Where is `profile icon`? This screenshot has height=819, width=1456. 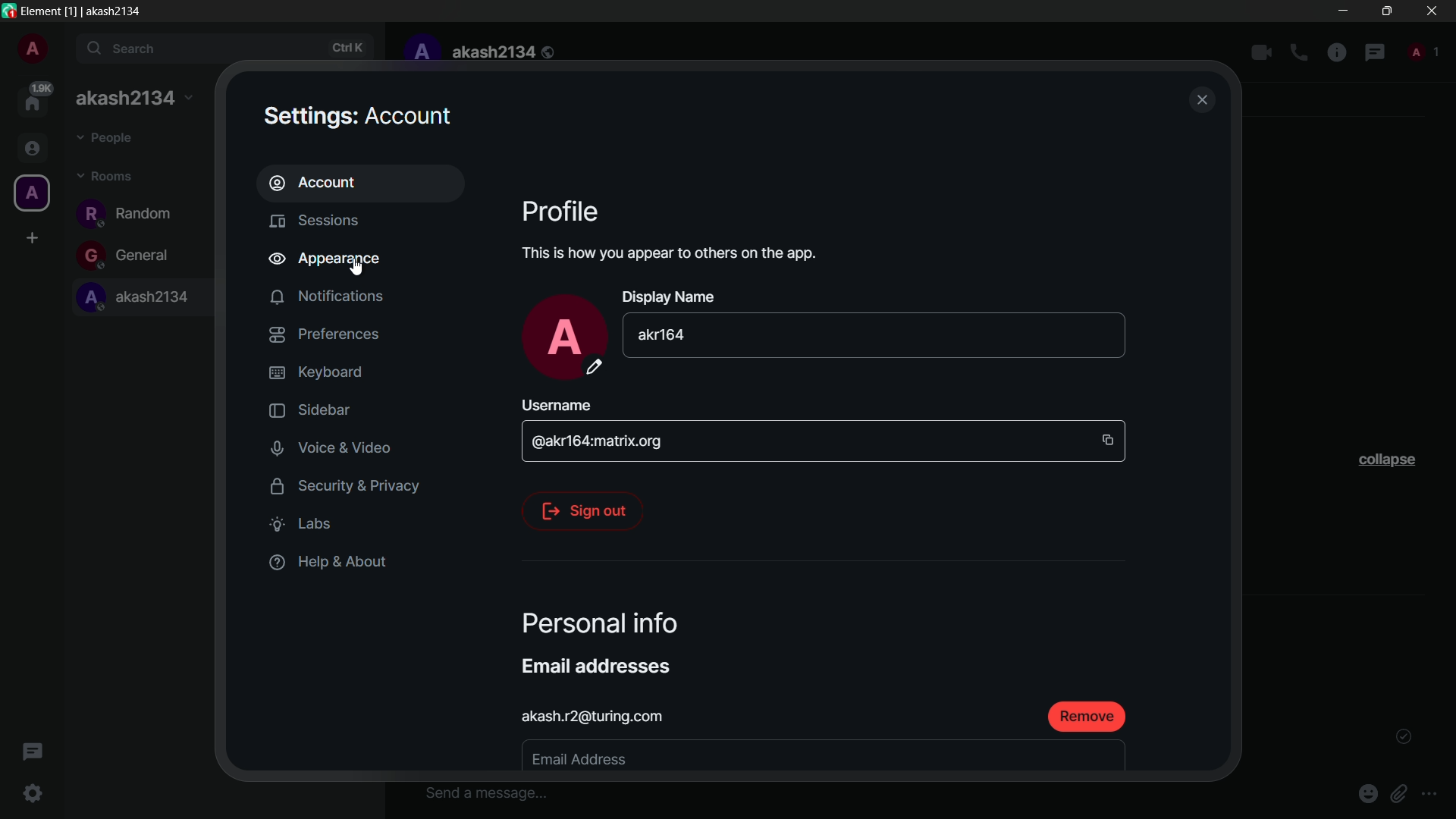
profile icon is located at coordinates (563, 337).